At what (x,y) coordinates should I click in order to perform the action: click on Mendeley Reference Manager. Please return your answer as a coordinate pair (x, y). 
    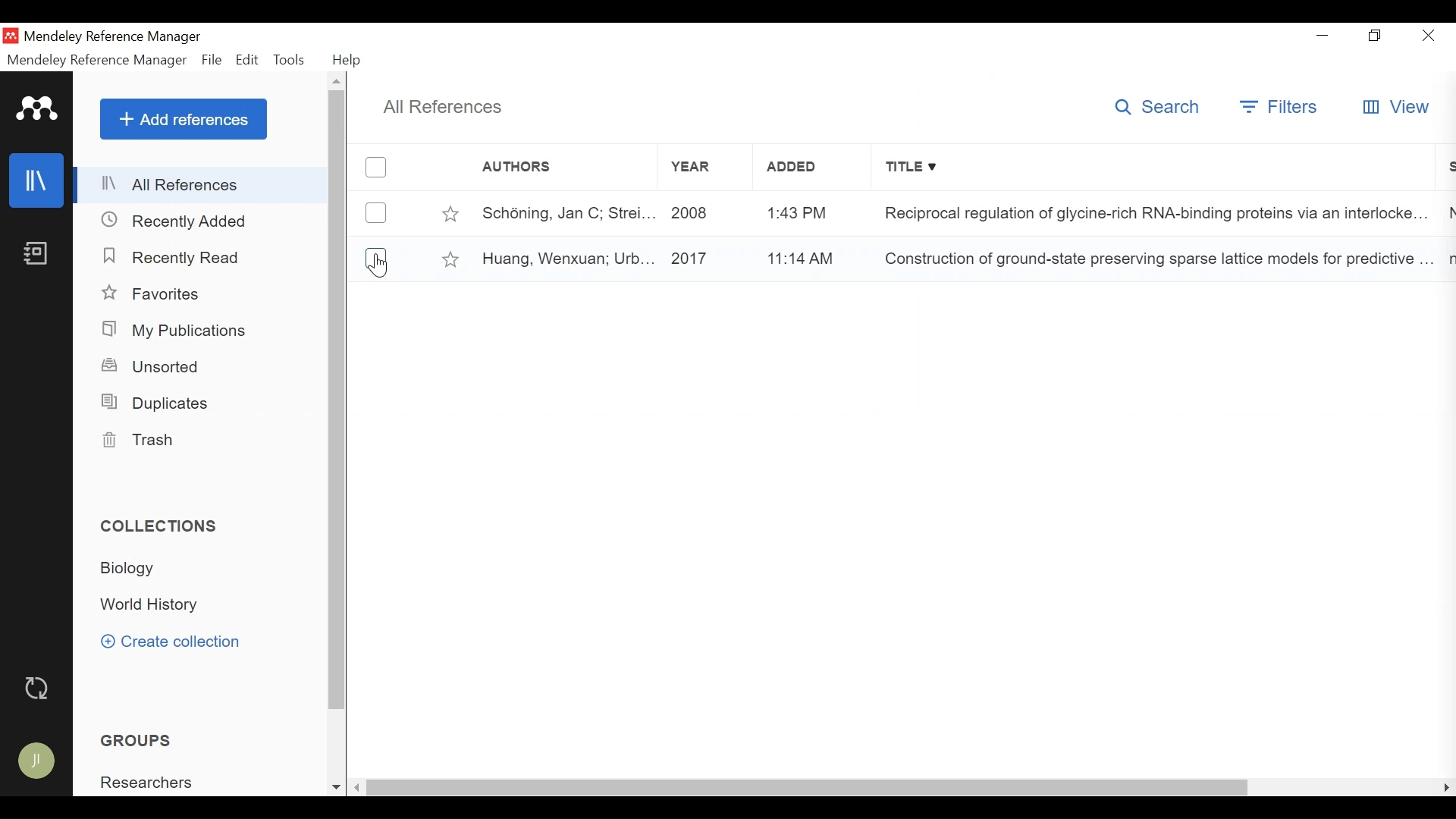
    Looking at the image, I should click on (115, 37).